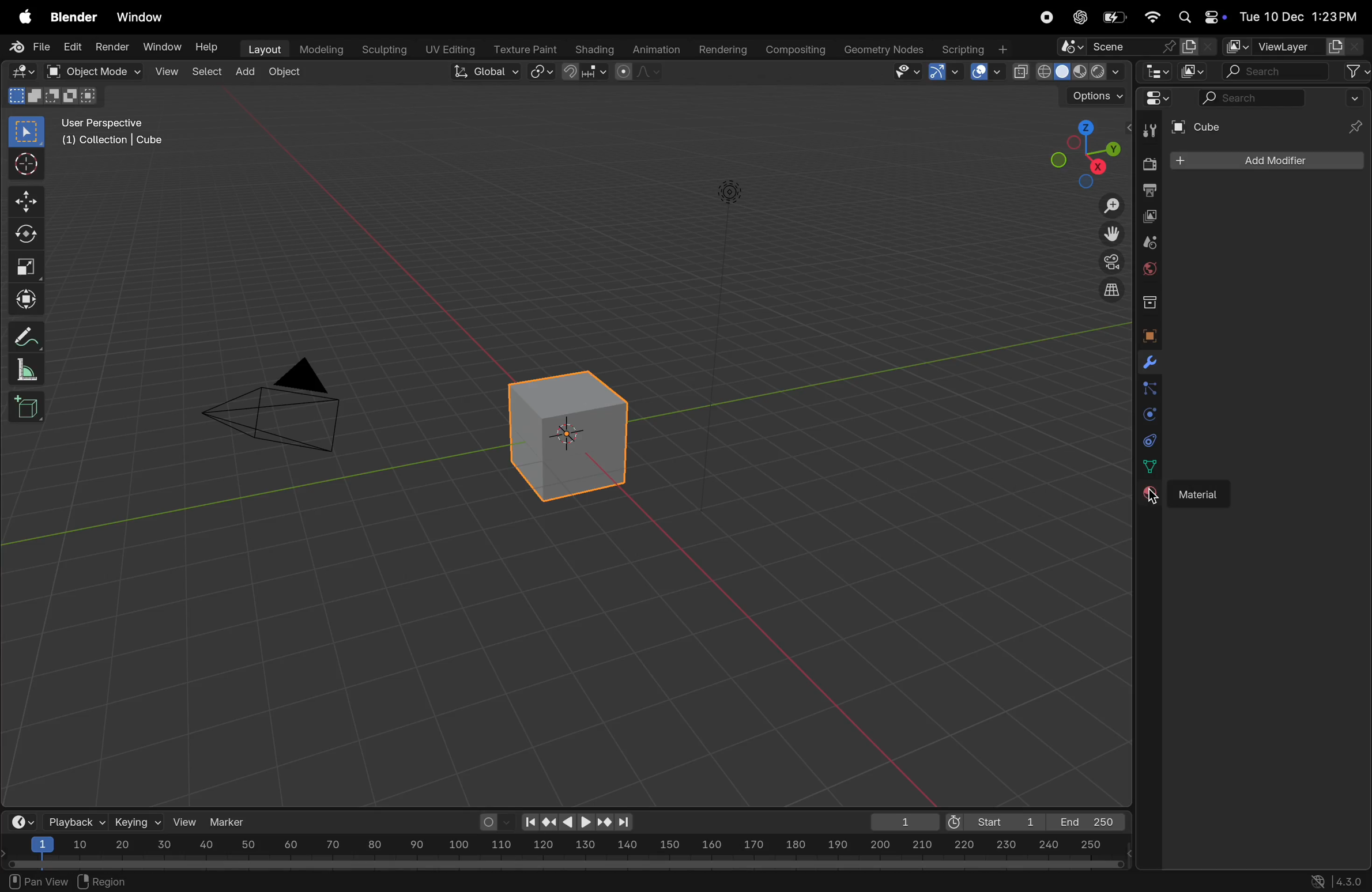  Describe the element at coordinates (137, 821) in the screenshot. I see `keying` at that location.